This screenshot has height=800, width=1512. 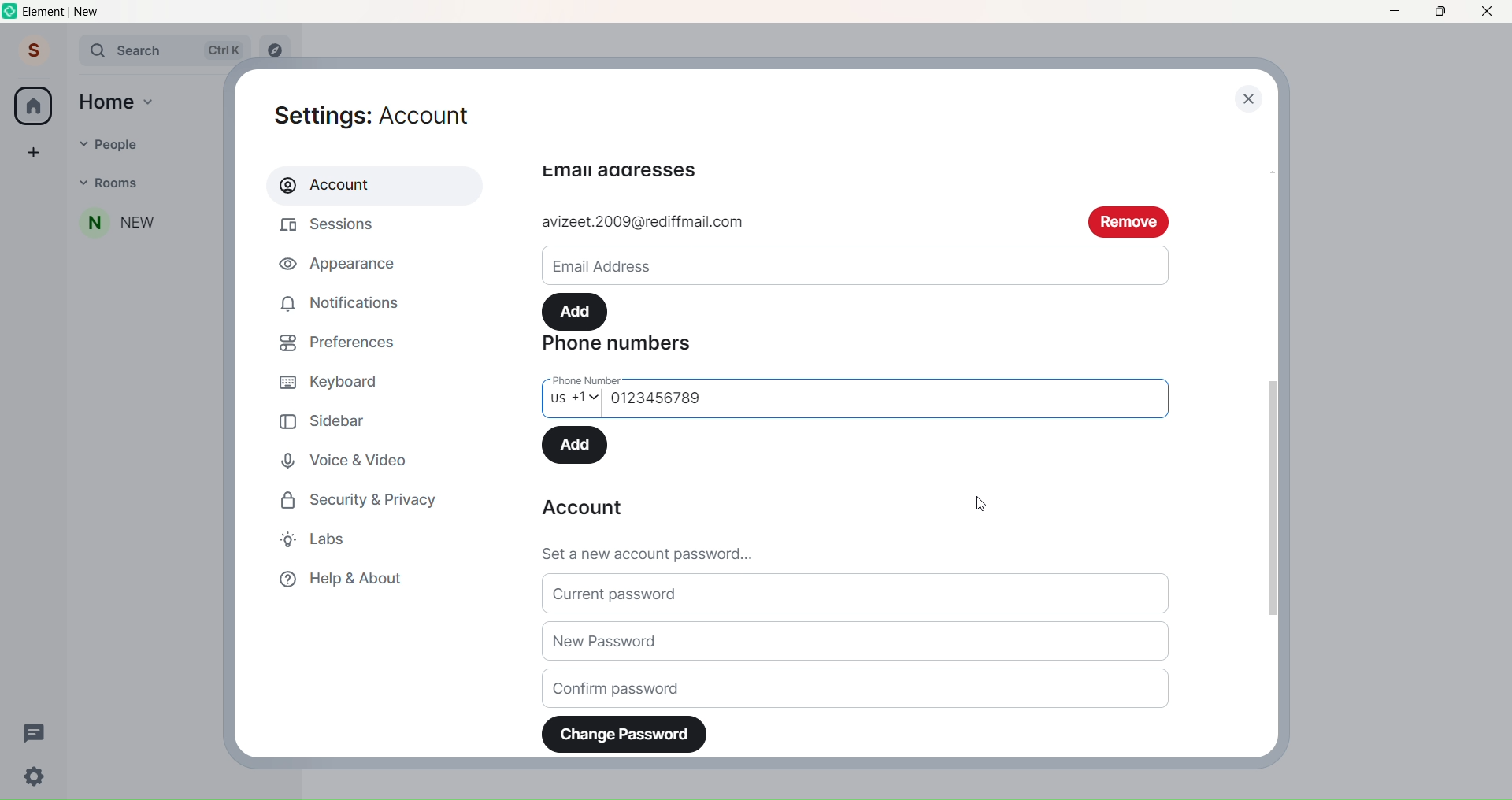 I want to click on Home, so click(x=33, y=106).